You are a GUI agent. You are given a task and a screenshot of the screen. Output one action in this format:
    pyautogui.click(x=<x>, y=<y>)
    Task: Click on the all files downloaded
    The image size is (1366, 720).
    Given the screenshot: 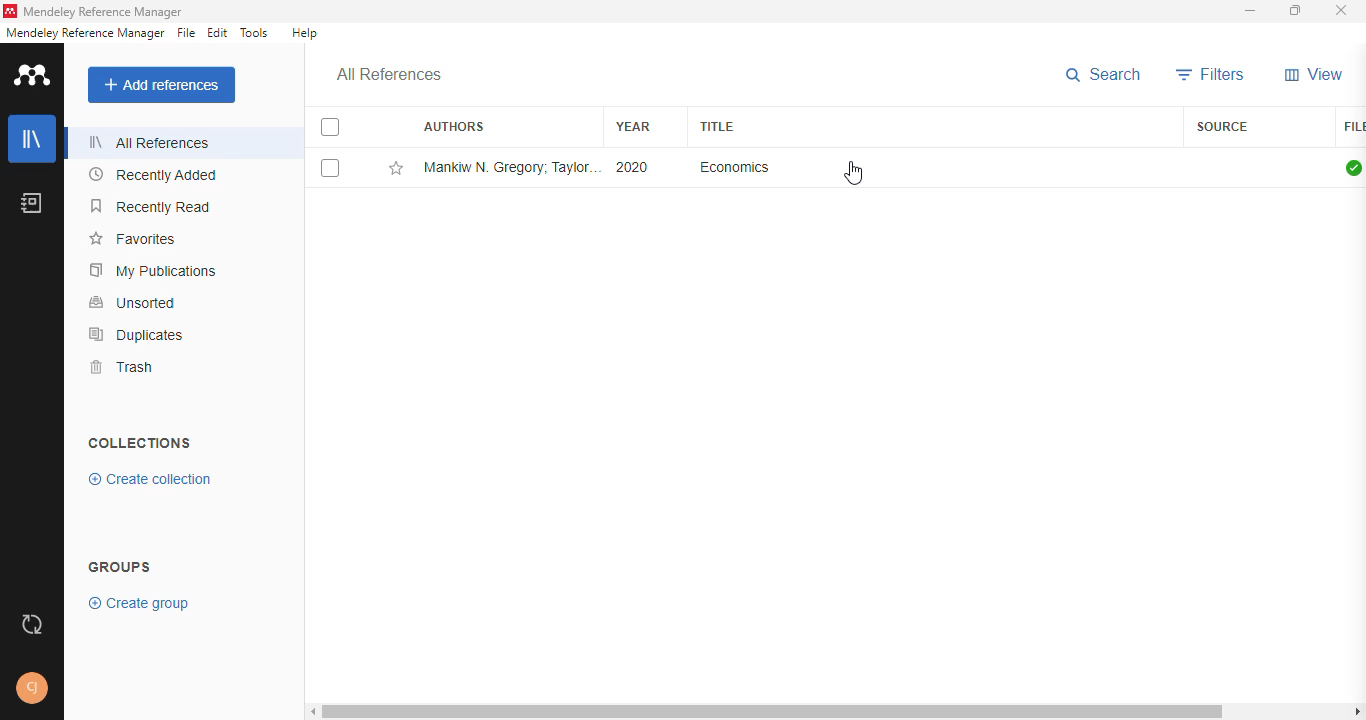 What is the action you would take?
    pyautogui.click(x=1353, y=167)
    